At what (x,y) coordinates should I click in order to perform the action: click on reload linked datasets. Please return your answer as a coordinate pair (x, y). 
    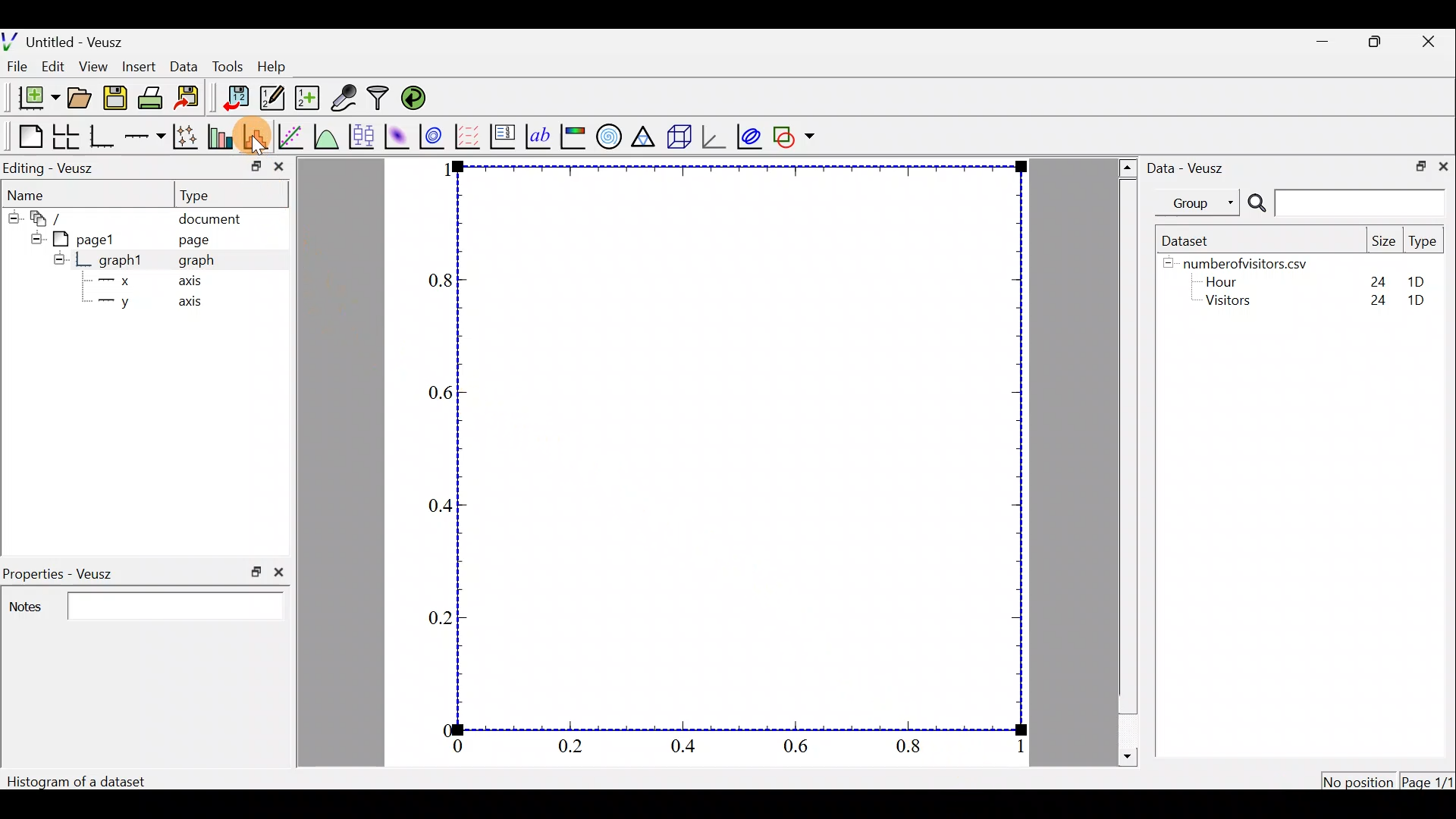
    Looking at the image, I should click on (419, 99).